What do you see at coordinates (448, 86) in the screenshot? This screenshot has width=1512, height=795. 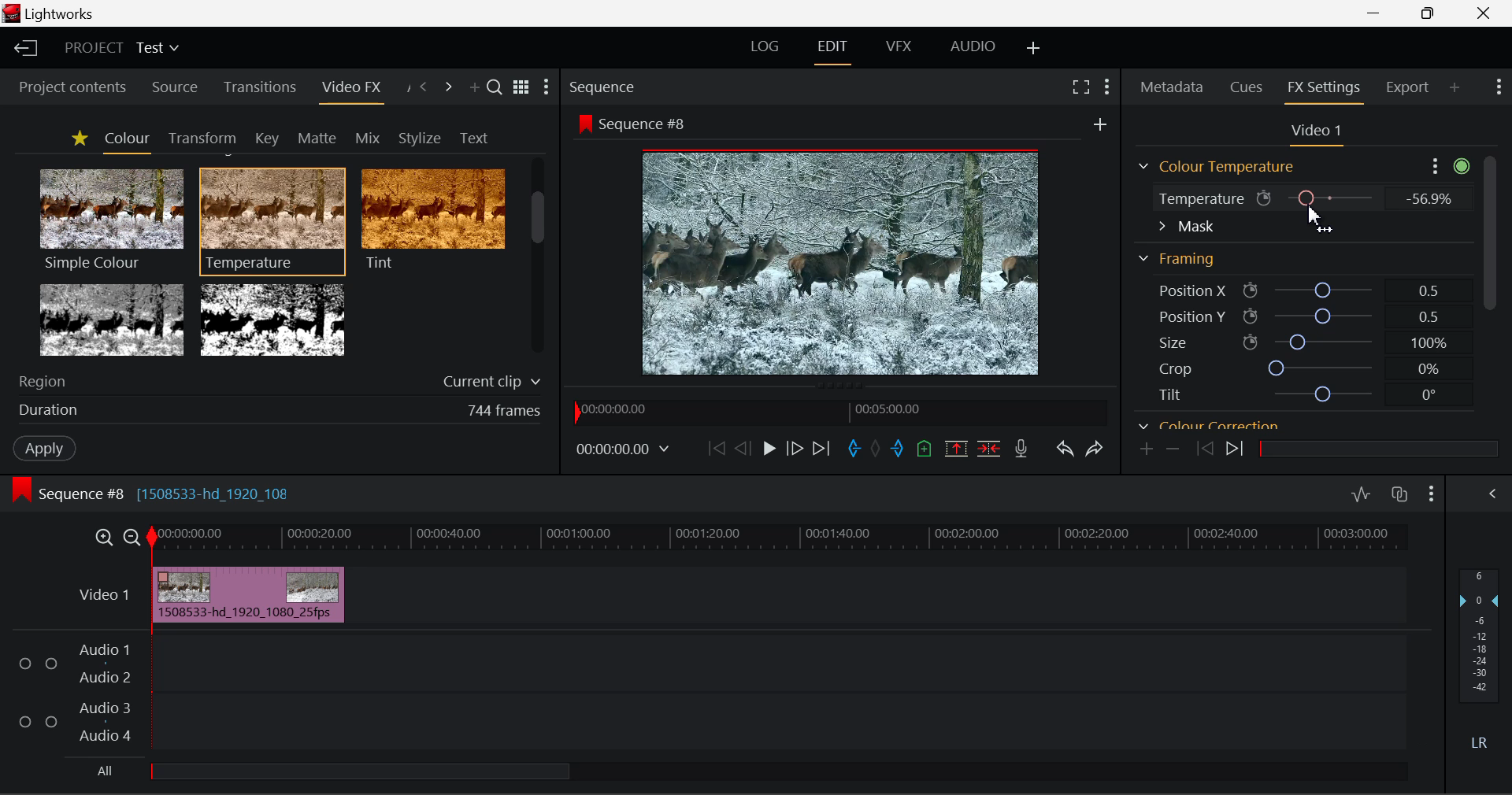 I see `Next Panel` at bounding box center [448, 86].